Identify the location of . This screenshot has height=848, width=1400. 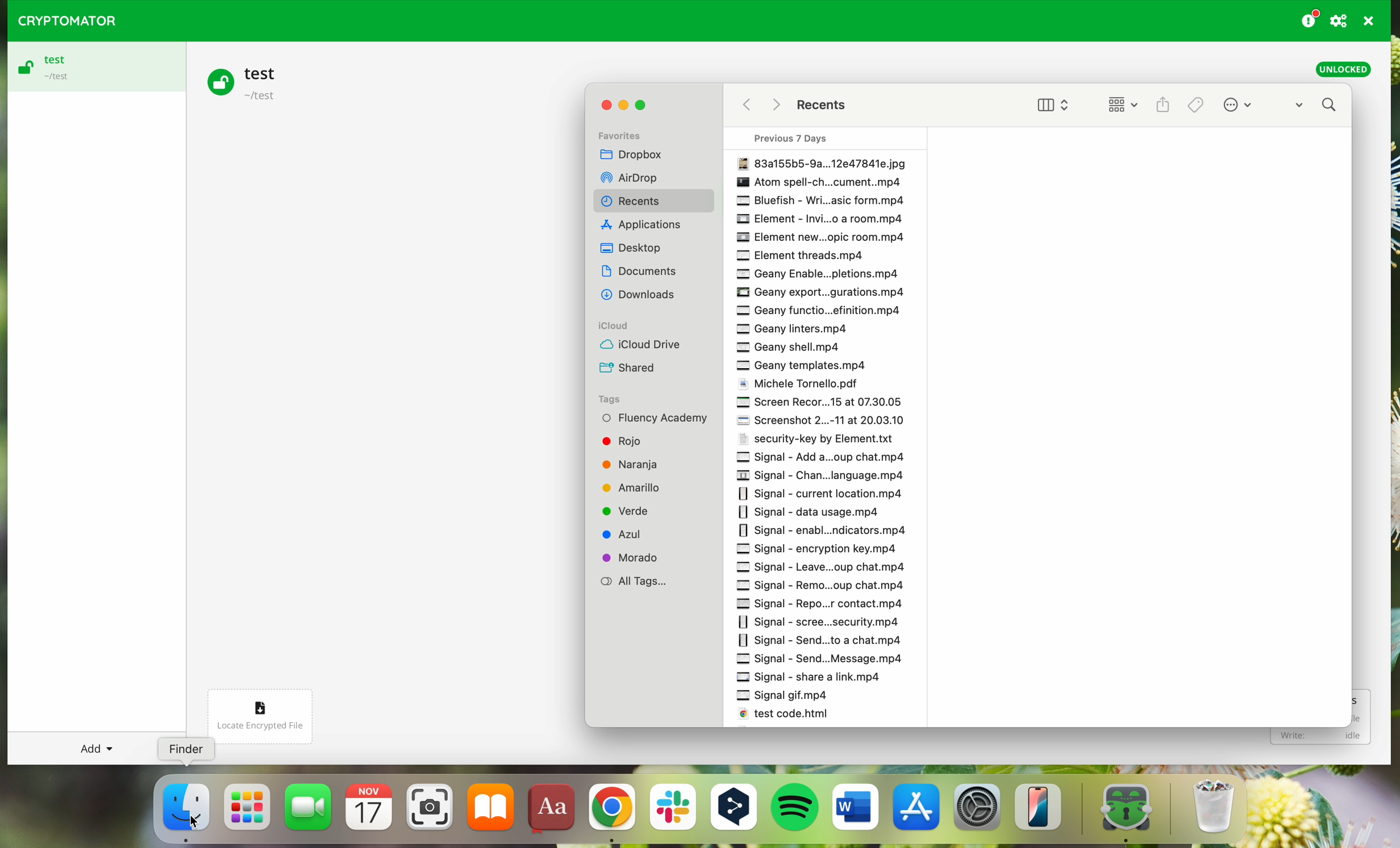
(639, 177).